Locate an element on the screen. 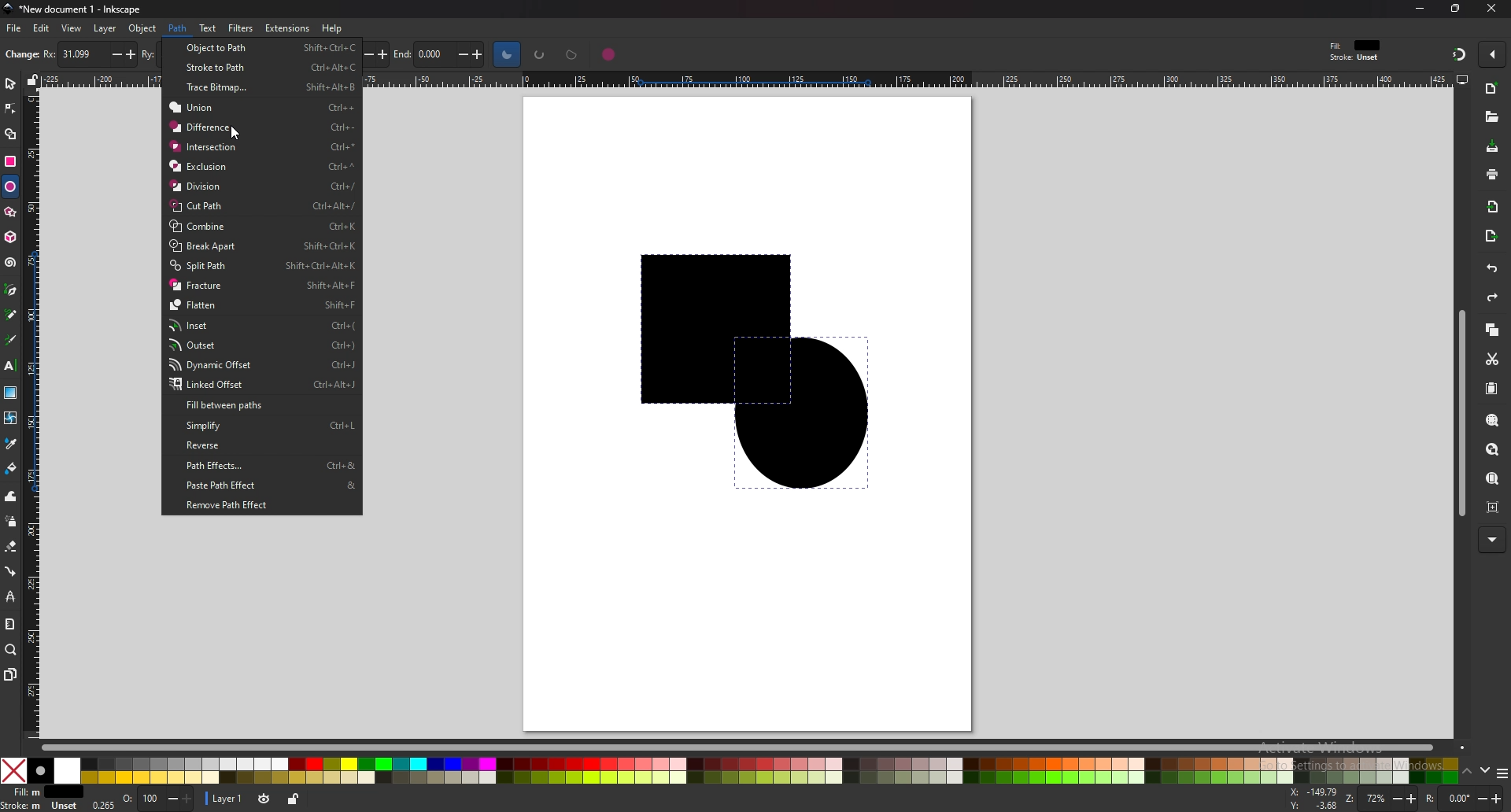 This screenshot has height=812, width=1511. star is located at coordinates (10, 212).